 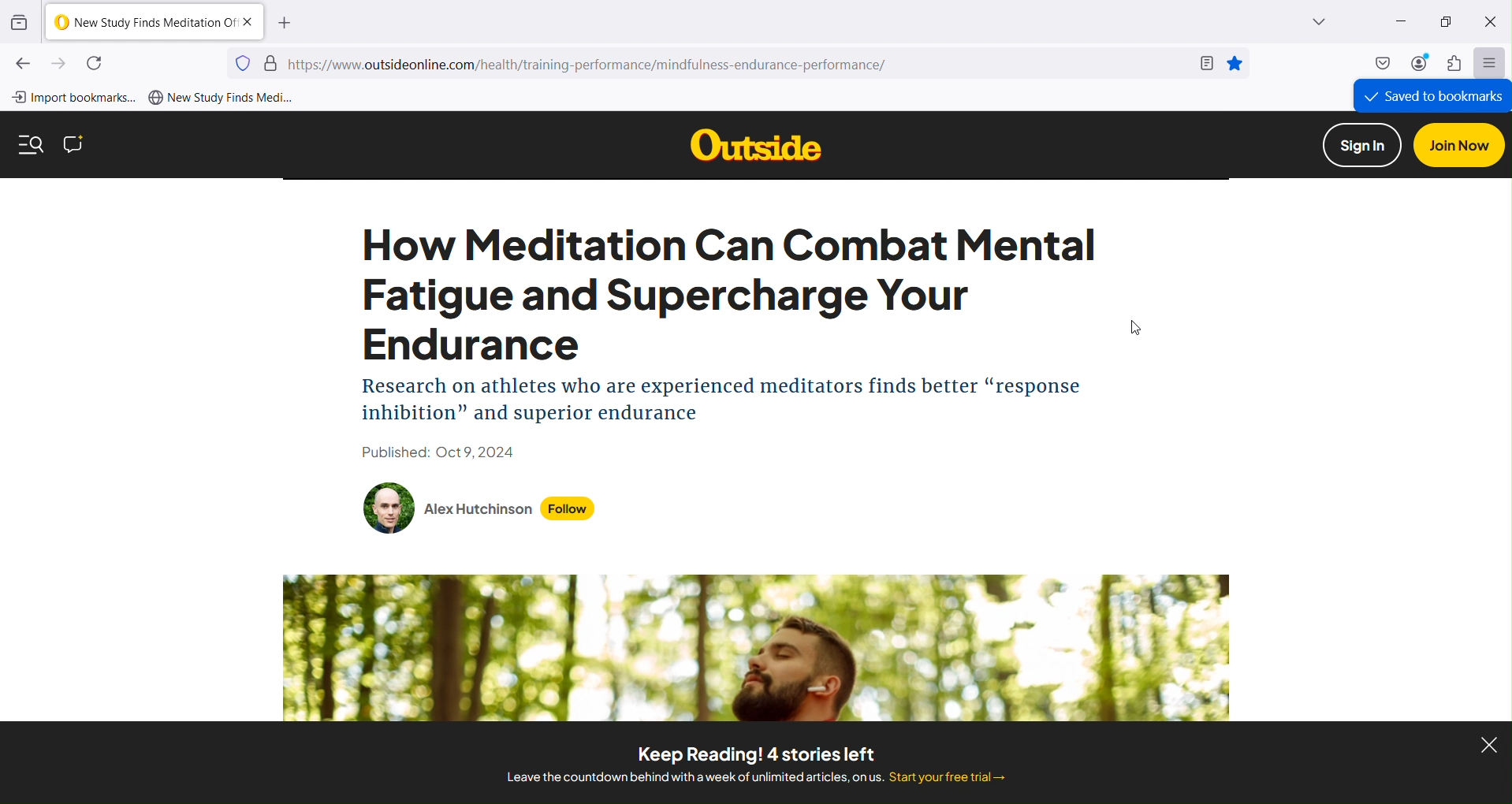 What do you see at coordinates (479, 509) in the screenshot?
I see `Author name` at bounding box center [479, 509].